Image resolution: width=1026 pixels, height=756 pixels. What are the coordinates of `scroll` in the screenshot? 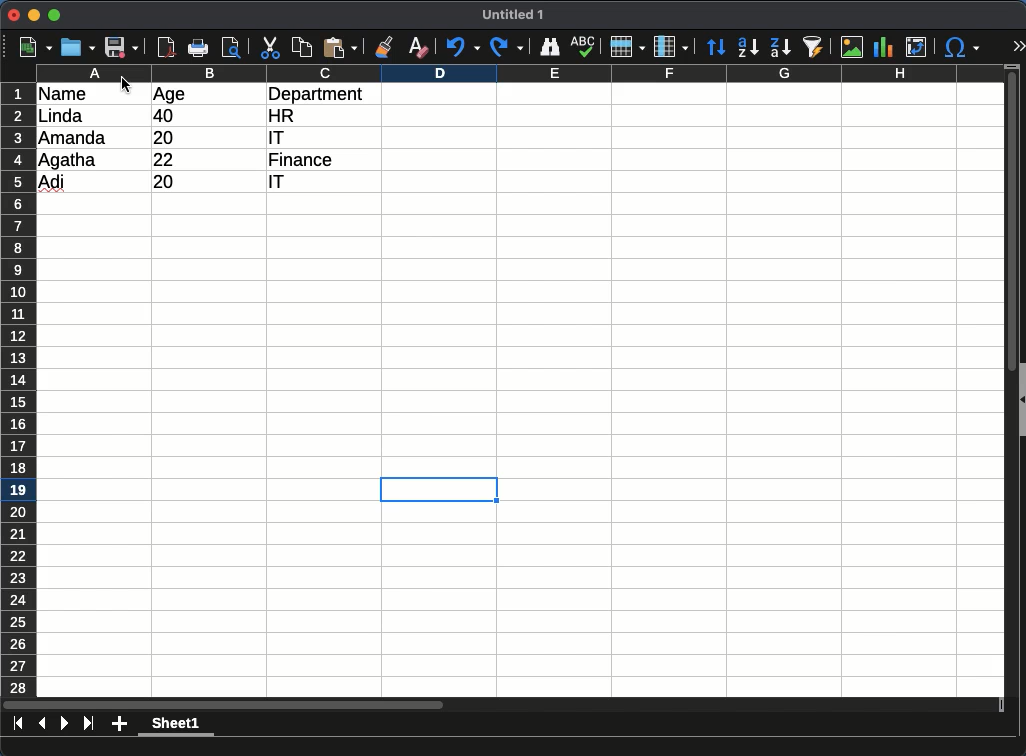 It's located at (1004, 386).